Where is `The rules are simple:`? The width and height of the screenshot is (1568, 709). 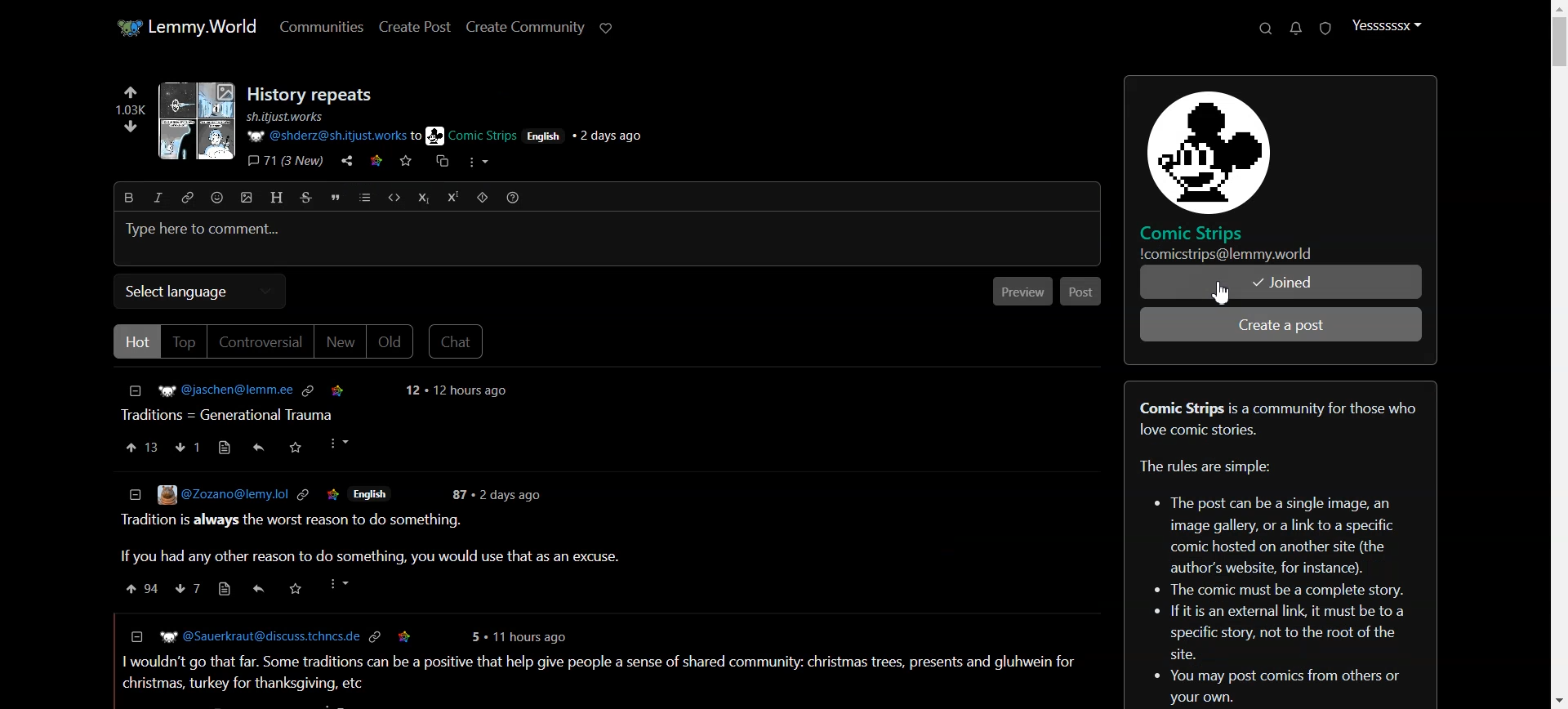
The rules are simple: is located at coordinates (1205, 467).